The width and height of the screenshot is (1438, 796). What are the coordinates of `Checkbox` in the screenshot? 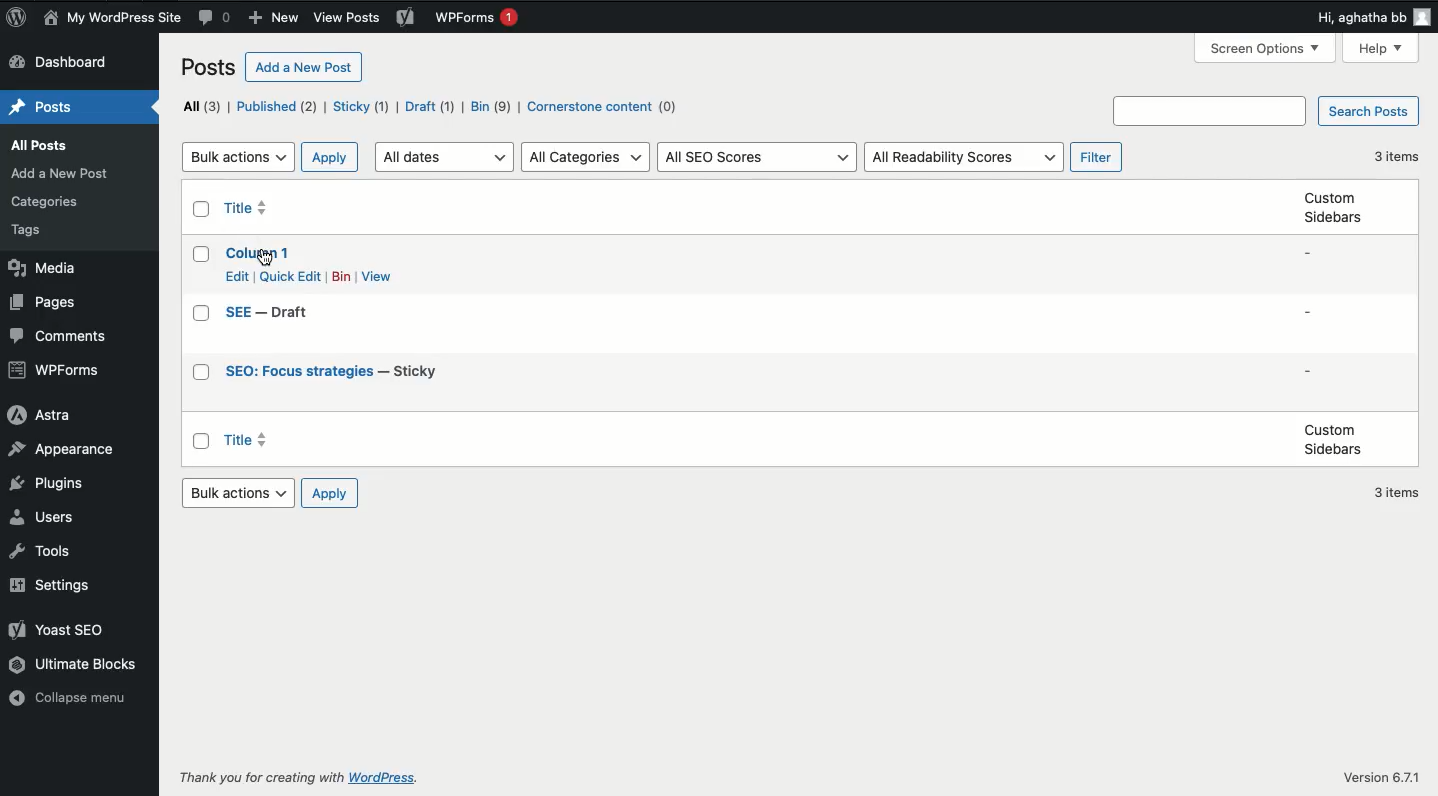 It's located at (205, 209).